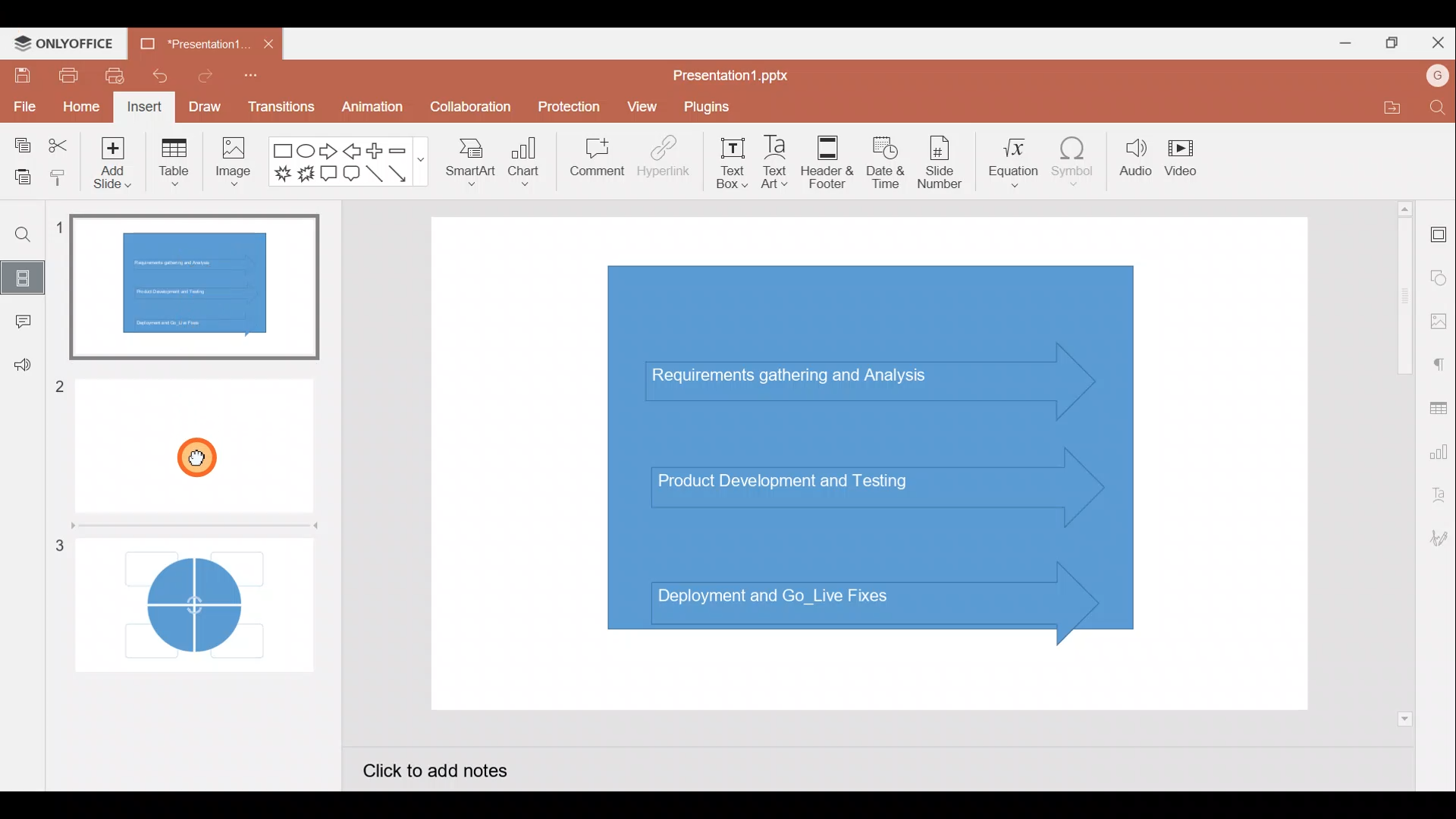 The image size is (1456, 819). Describe the element at coordinates (1132, 163) in the screenshot. I see `Audio` at that location.